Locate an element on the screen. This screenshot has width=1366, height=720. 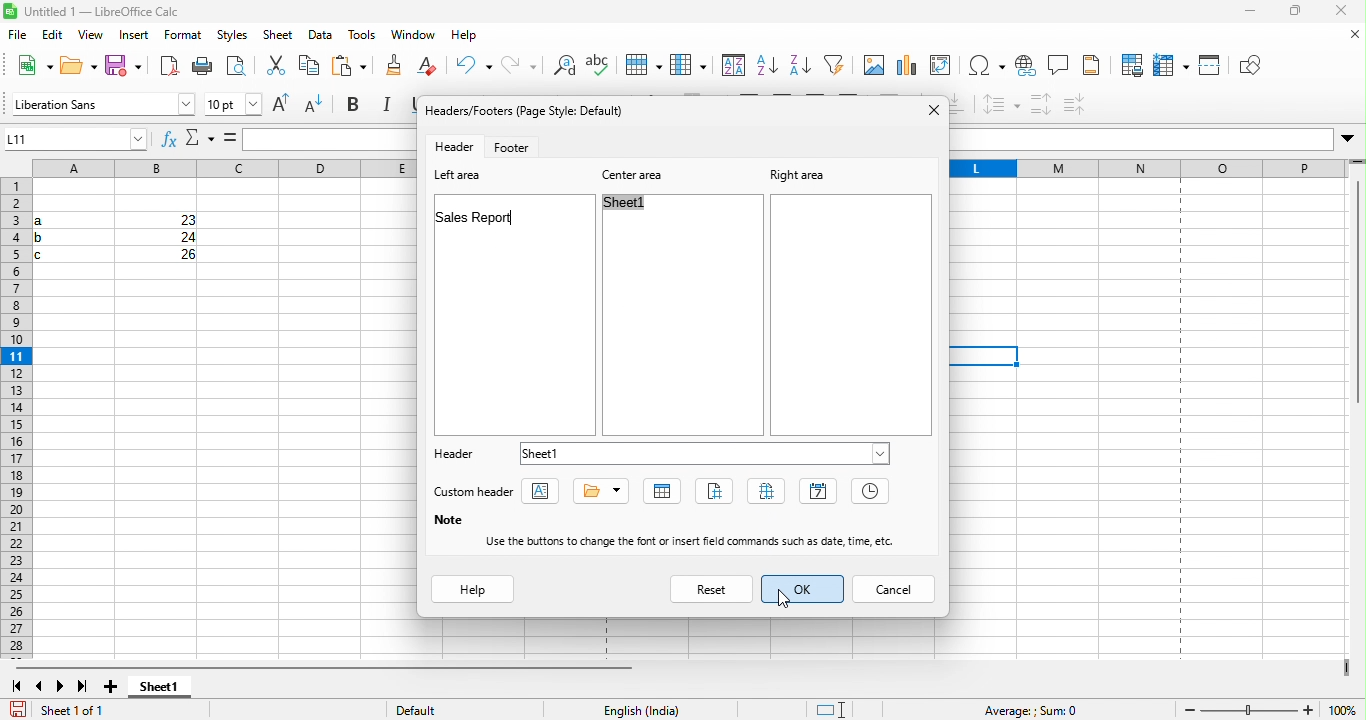
edit is located at coordinates (54, 37).